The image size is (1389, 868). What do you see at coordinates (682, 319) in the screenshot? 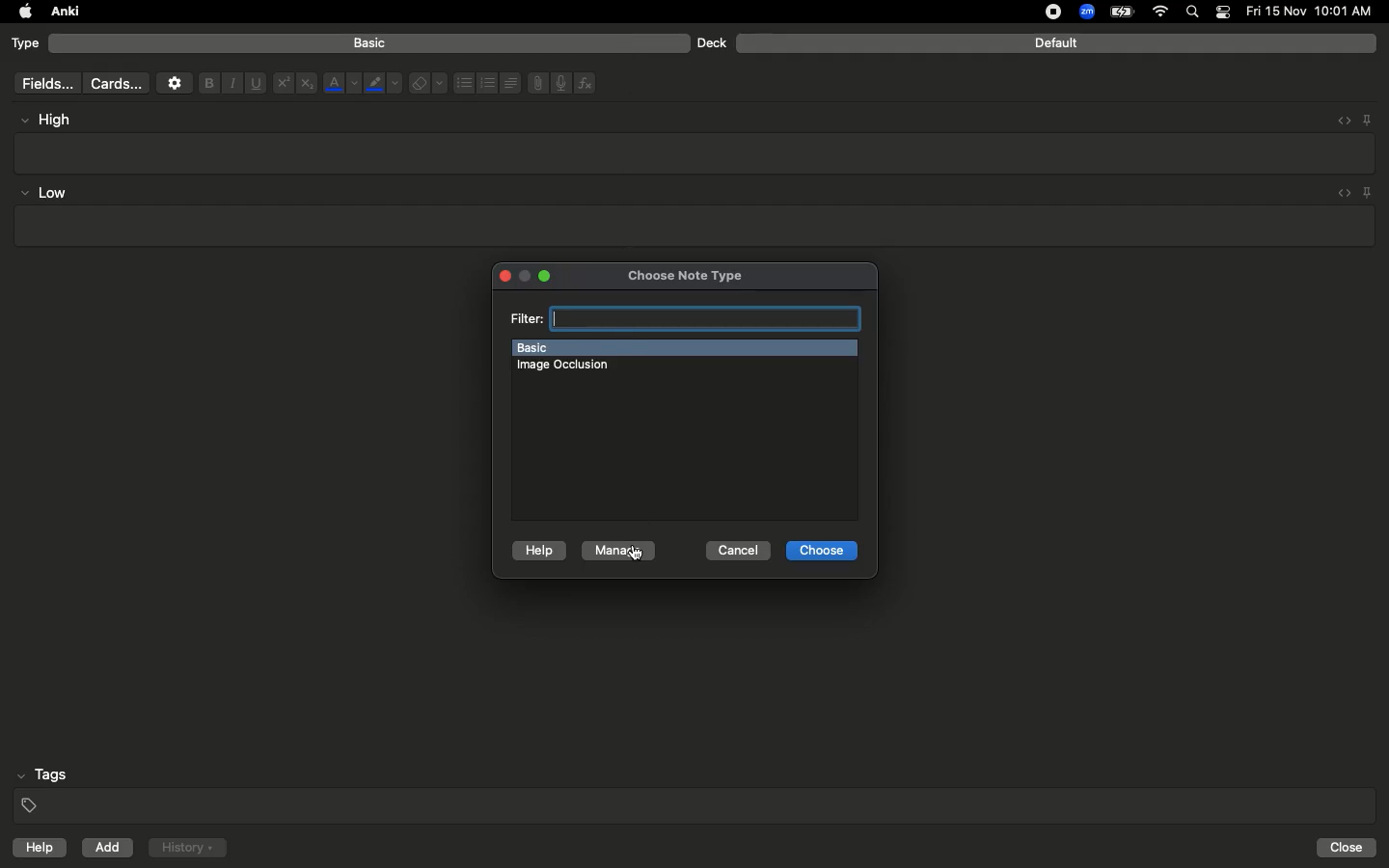
I see `Filter` at bounding box center [682, 319].